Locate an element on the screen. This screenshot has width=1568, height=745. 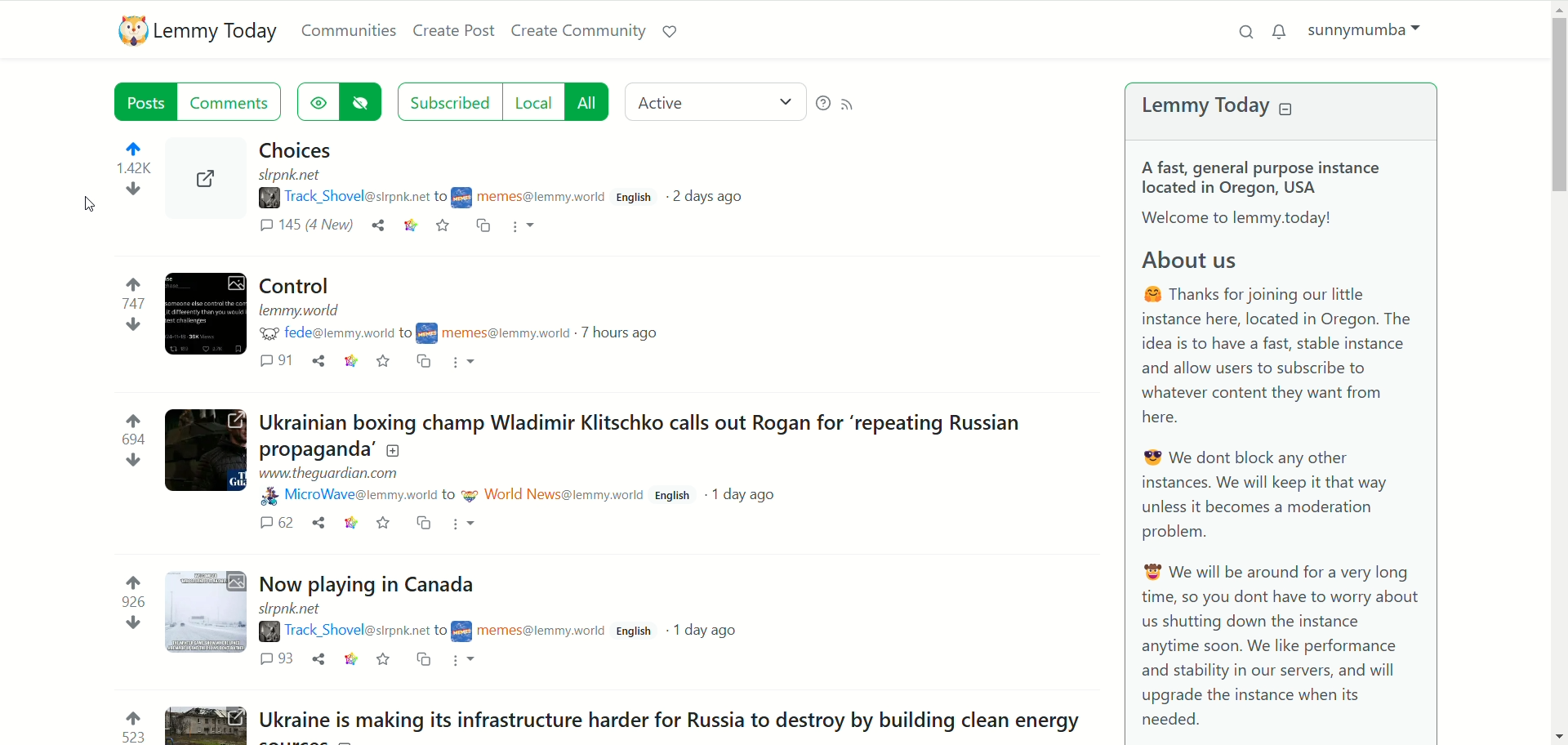
to is located at coordinates (408, 333).